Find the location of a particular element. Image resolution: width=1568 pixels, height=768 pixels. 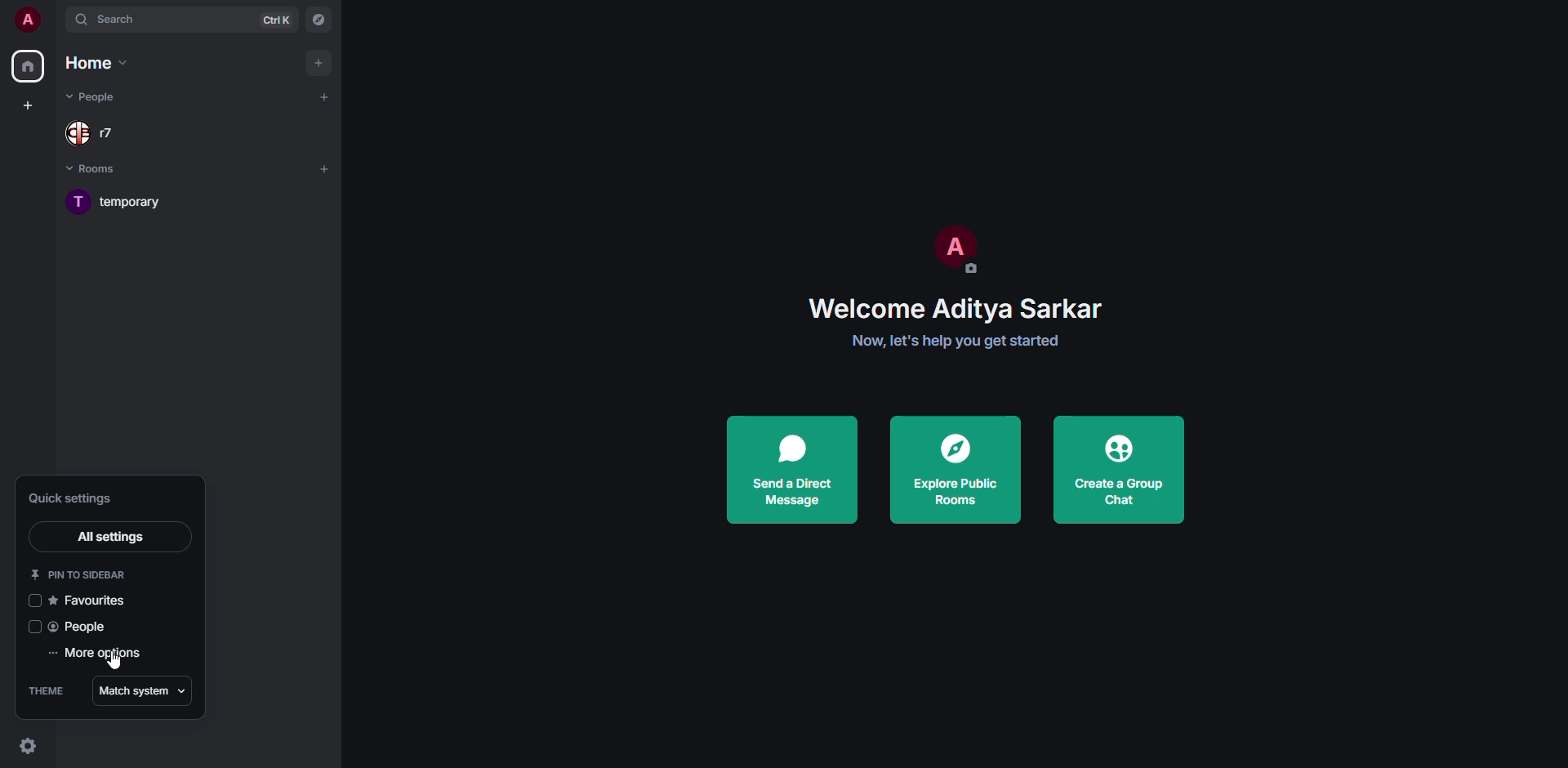

profile is located at coordinates (25, 20).